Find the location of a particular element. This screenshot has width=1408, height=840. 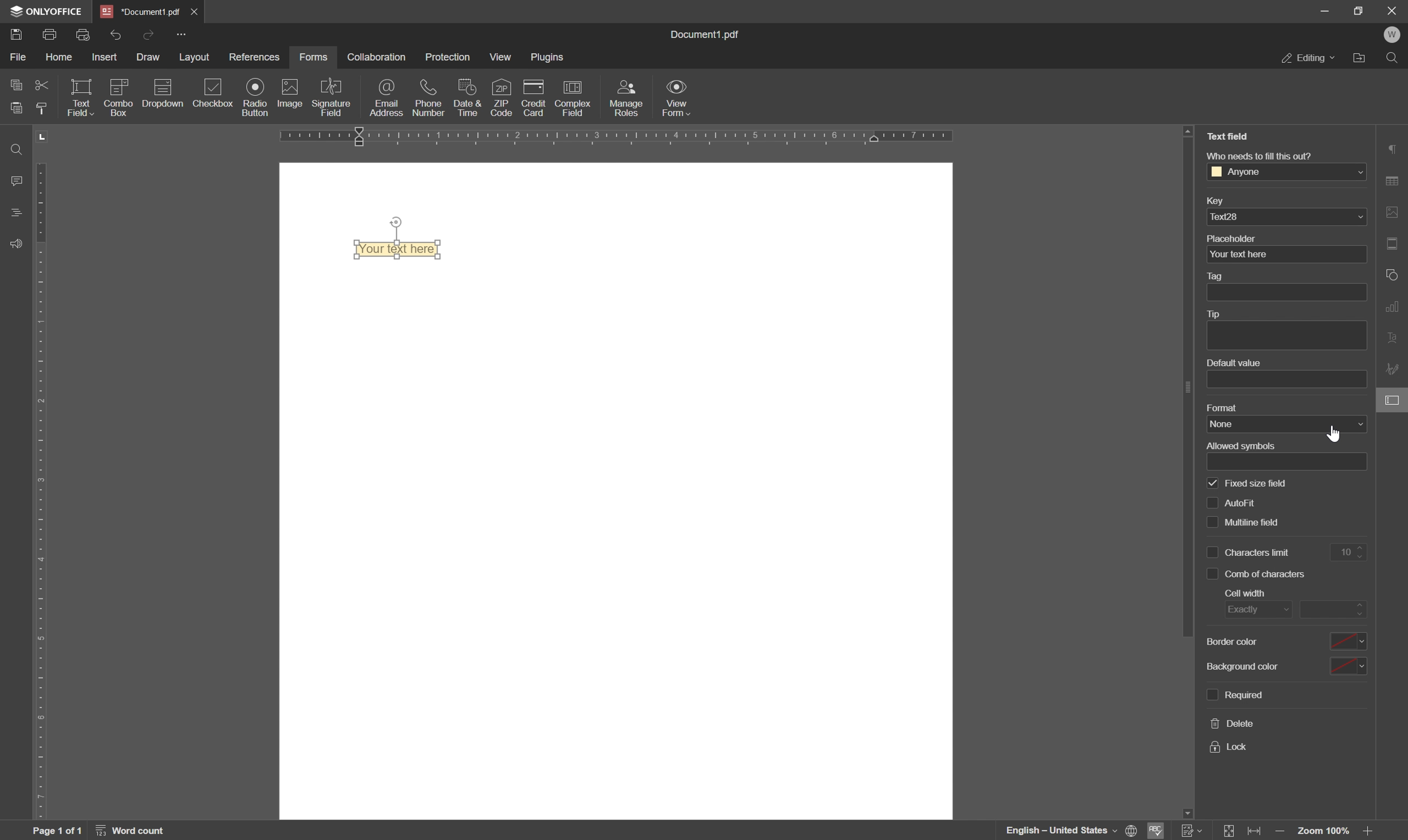

combo box is located at coordinates (118, 109).